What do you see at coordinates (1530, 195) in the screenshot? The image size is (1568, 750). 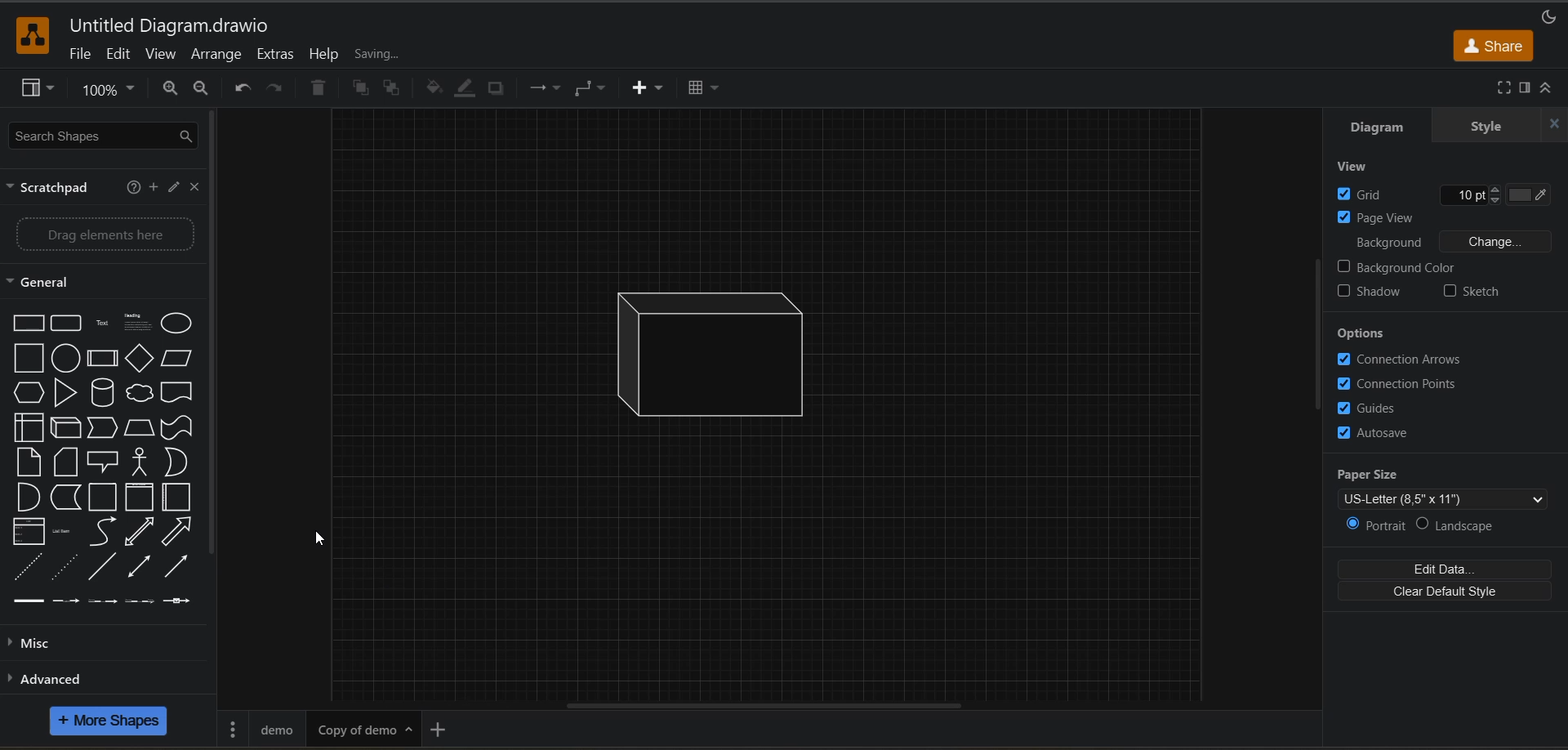 I see `Grid color` at bounding box center [1530, 195].